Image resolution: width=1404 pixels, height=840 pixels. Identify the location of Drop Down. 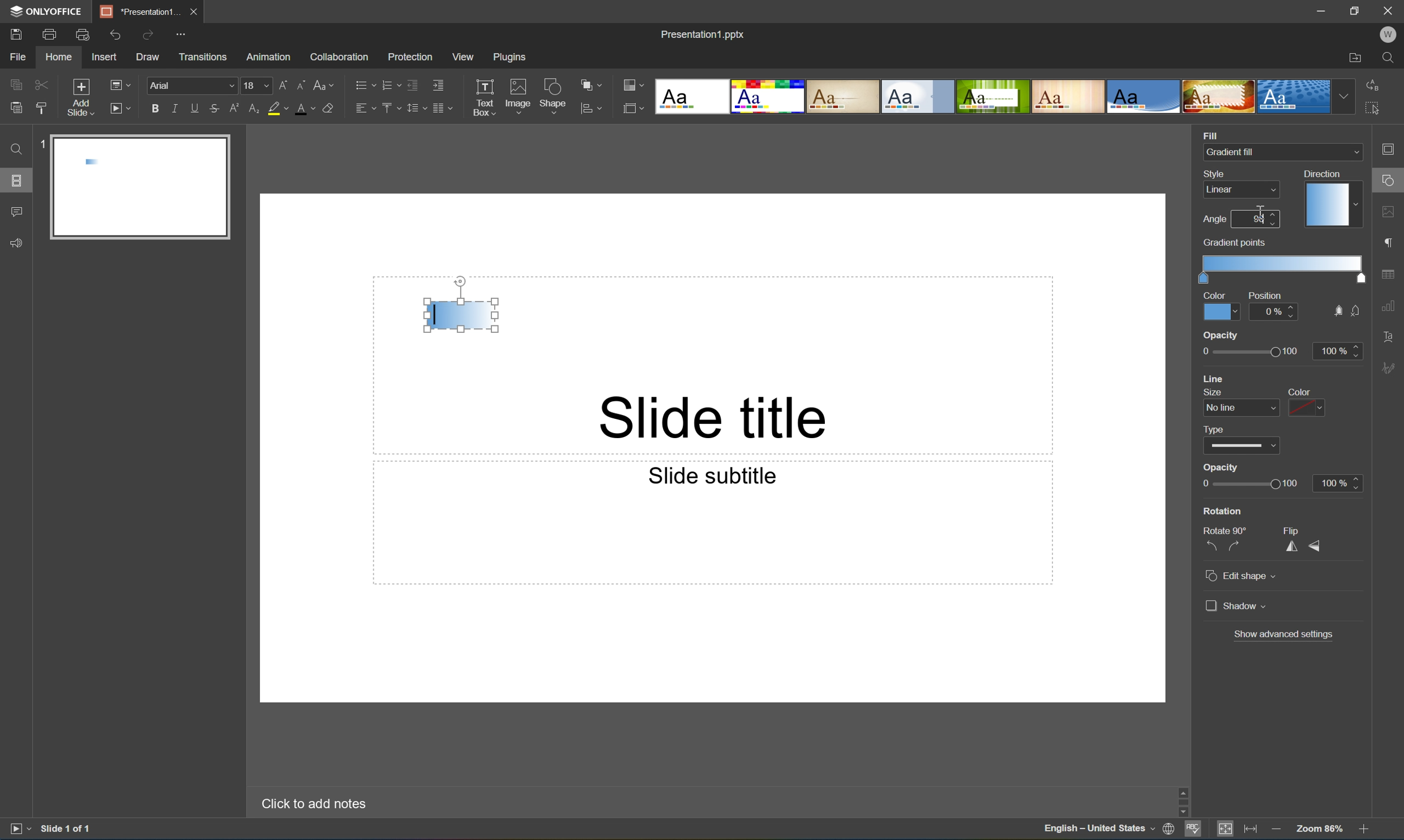
(1354, 152).